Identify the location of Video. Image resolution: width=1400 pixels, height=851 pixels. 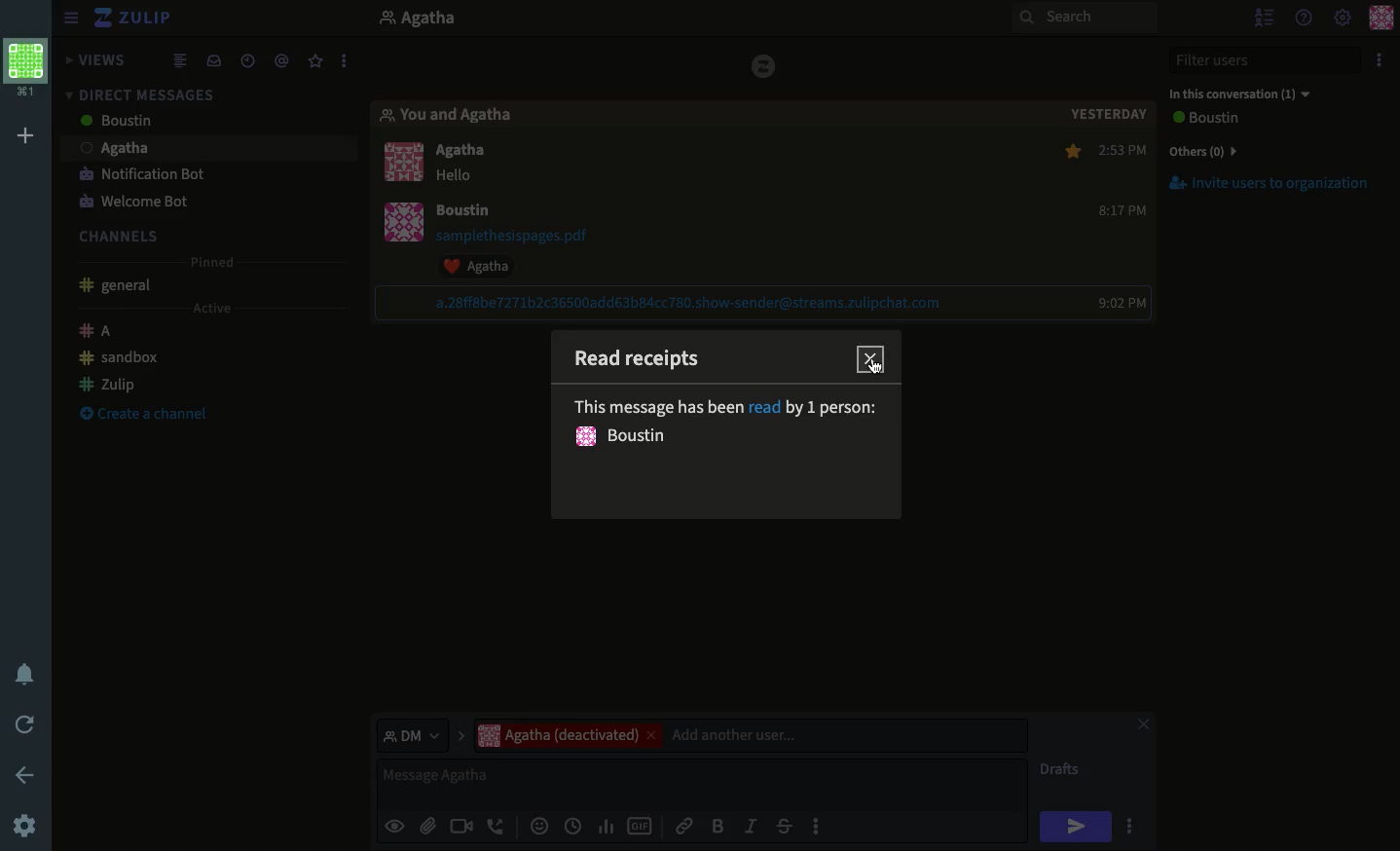
(460, 828).